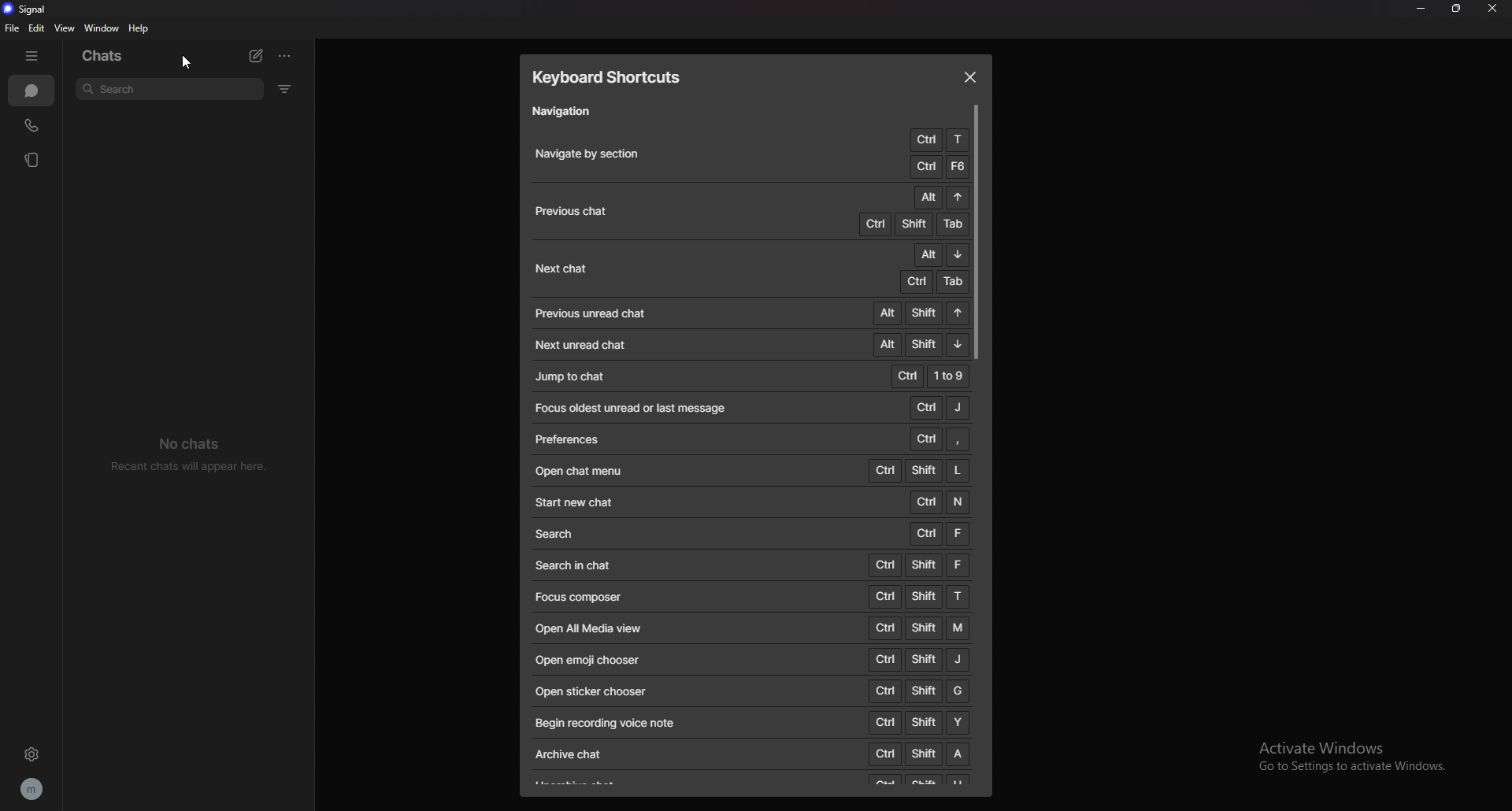  What do you see at coordinates (919, 565) in the screenshot?
I see `CTRL + SHIFT + F` at bounding box center [919, 565].